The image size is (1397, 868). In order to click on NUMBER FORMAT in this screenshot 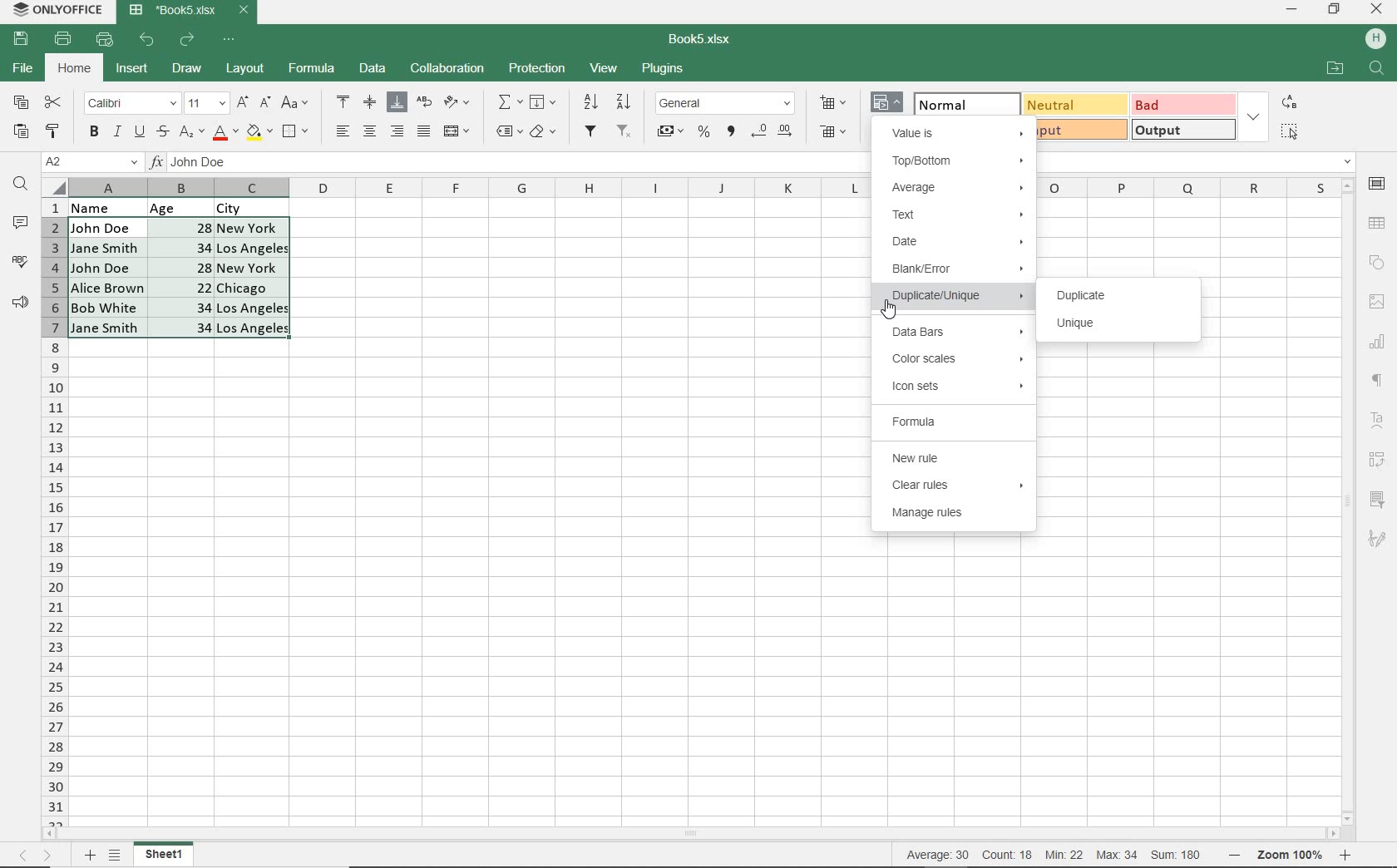, I will do `click(727, 102)`.